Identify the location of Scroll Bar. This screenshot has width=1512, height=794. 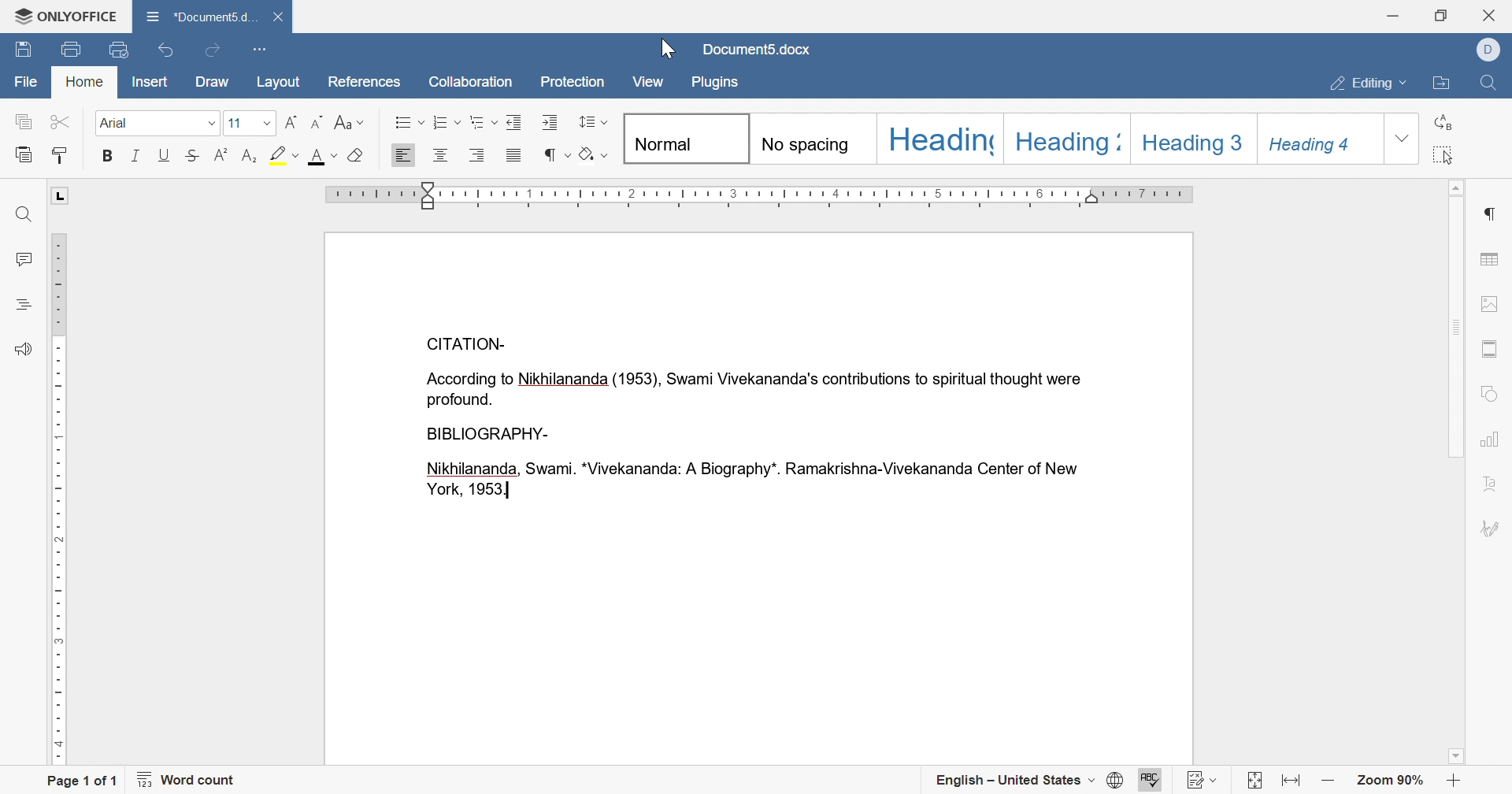
(1455, 472).